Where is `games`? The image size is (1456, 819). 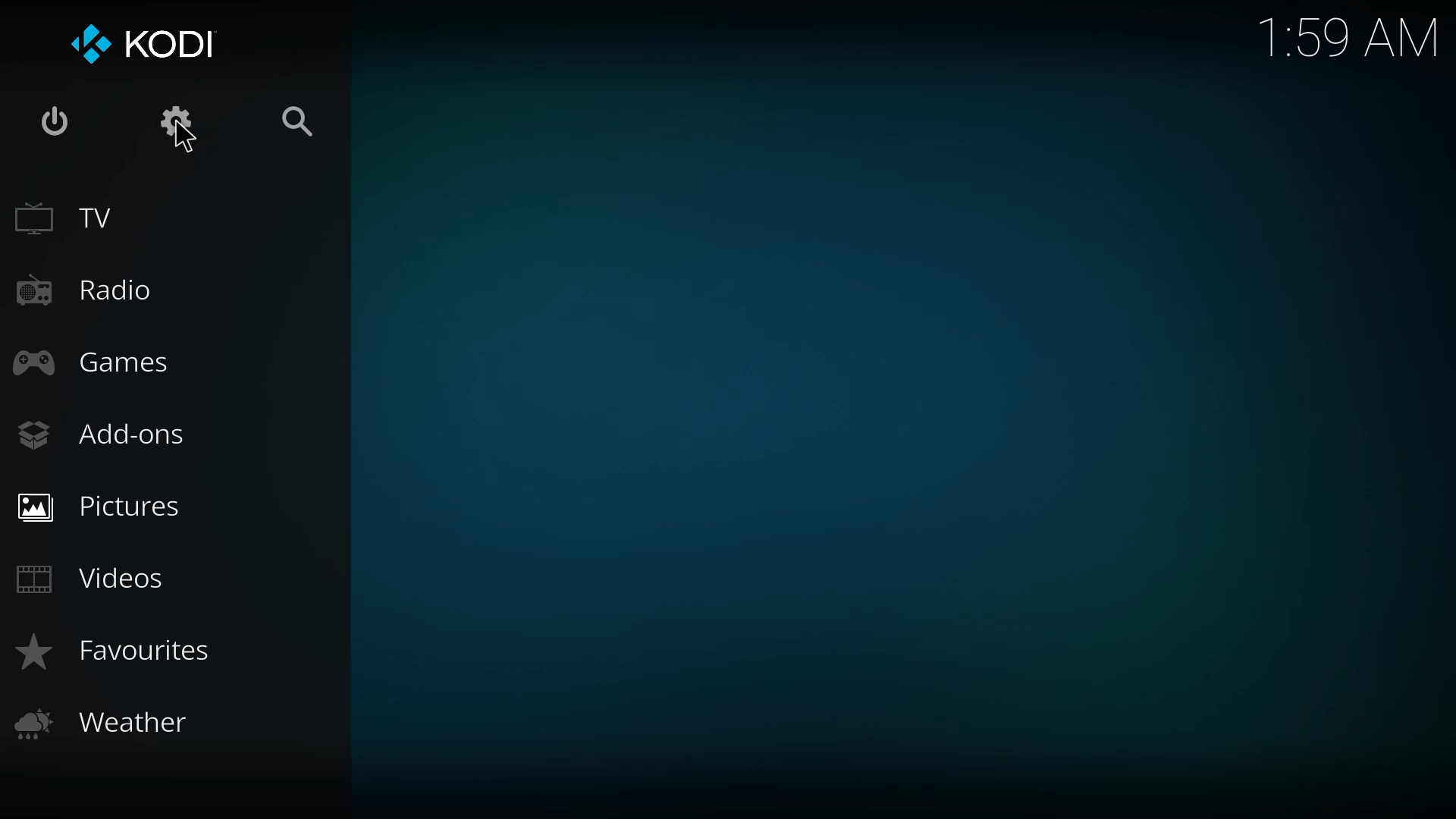
games is located at coordinates (94, 360).